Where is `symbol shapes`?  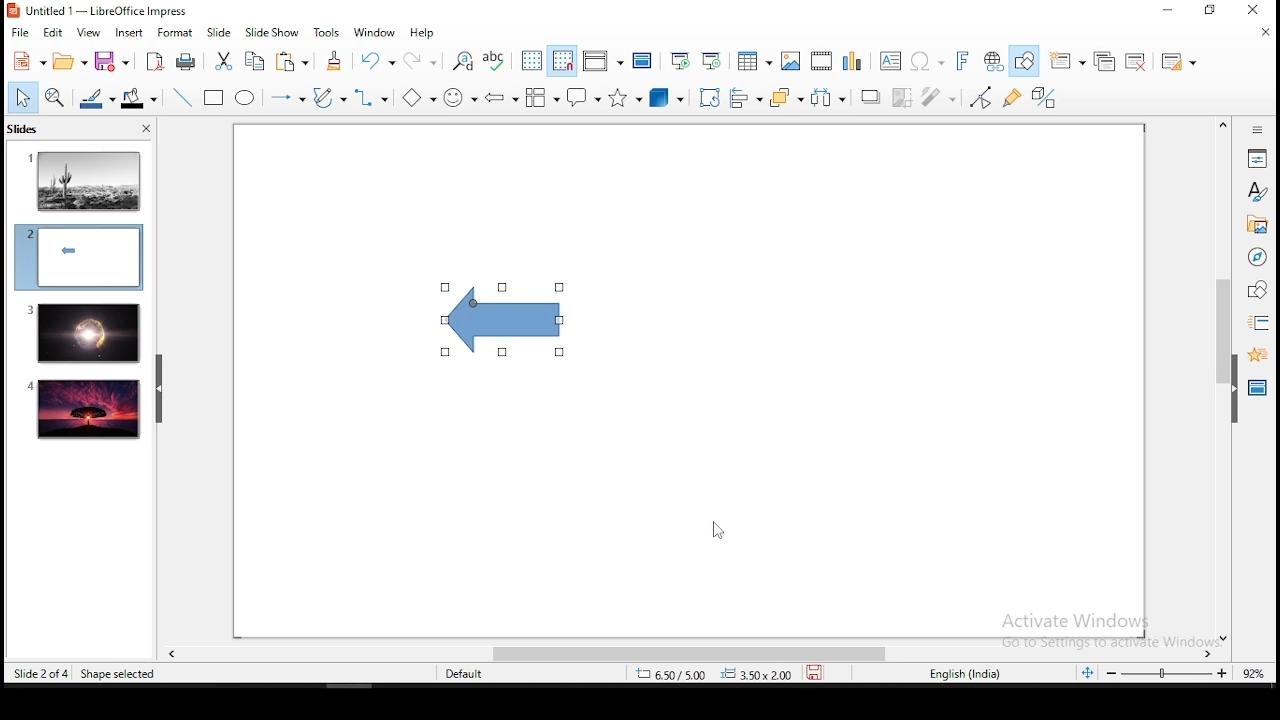 symbol shapes is located at coordinates (460, 98).